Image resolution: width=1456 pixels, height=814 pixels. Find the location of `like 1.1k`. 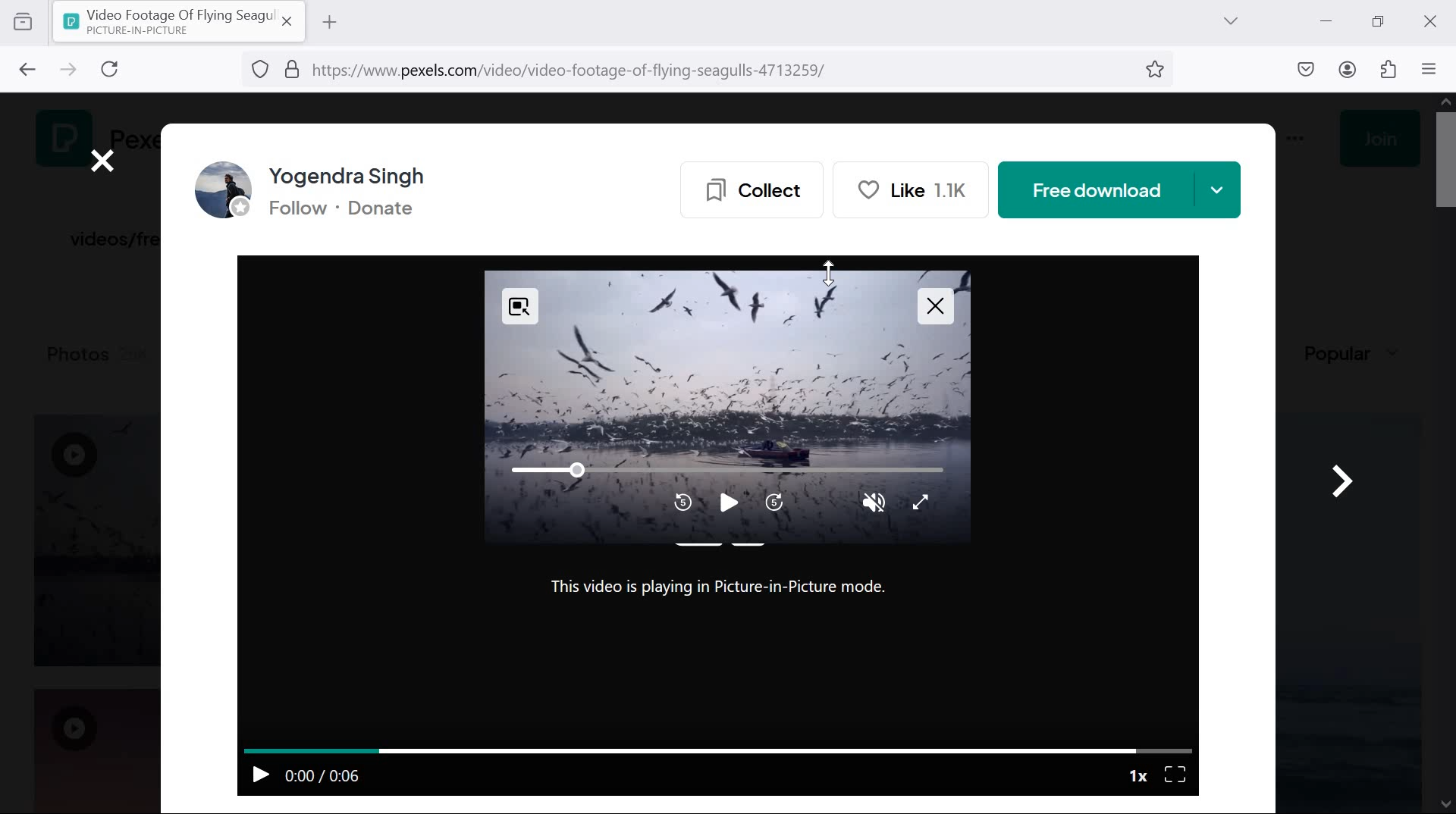

like 1.1k is located at coordinates (918, 189).